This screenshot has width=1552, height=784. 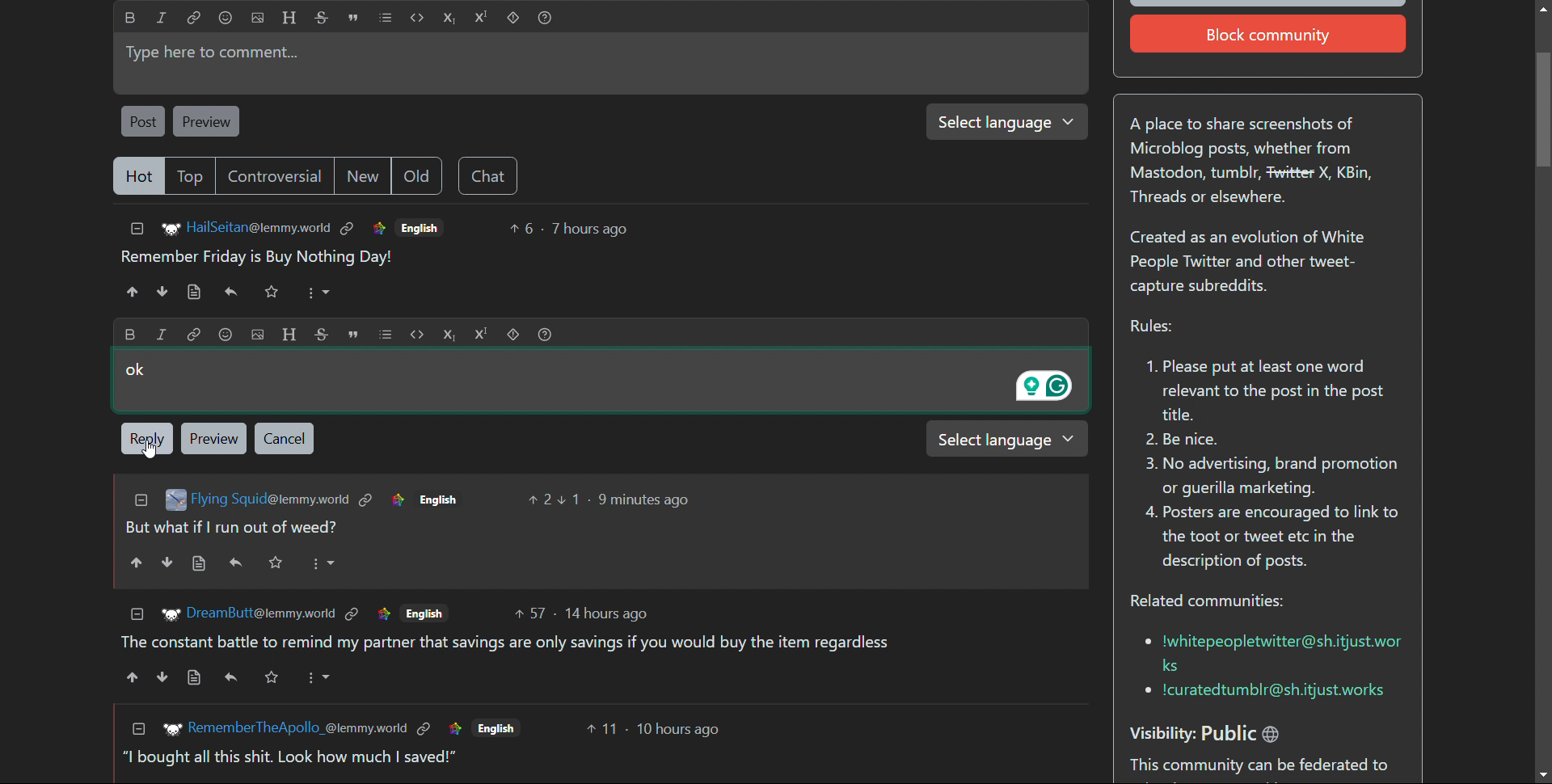 I want to click on upvote, so click(x=135, y=563).